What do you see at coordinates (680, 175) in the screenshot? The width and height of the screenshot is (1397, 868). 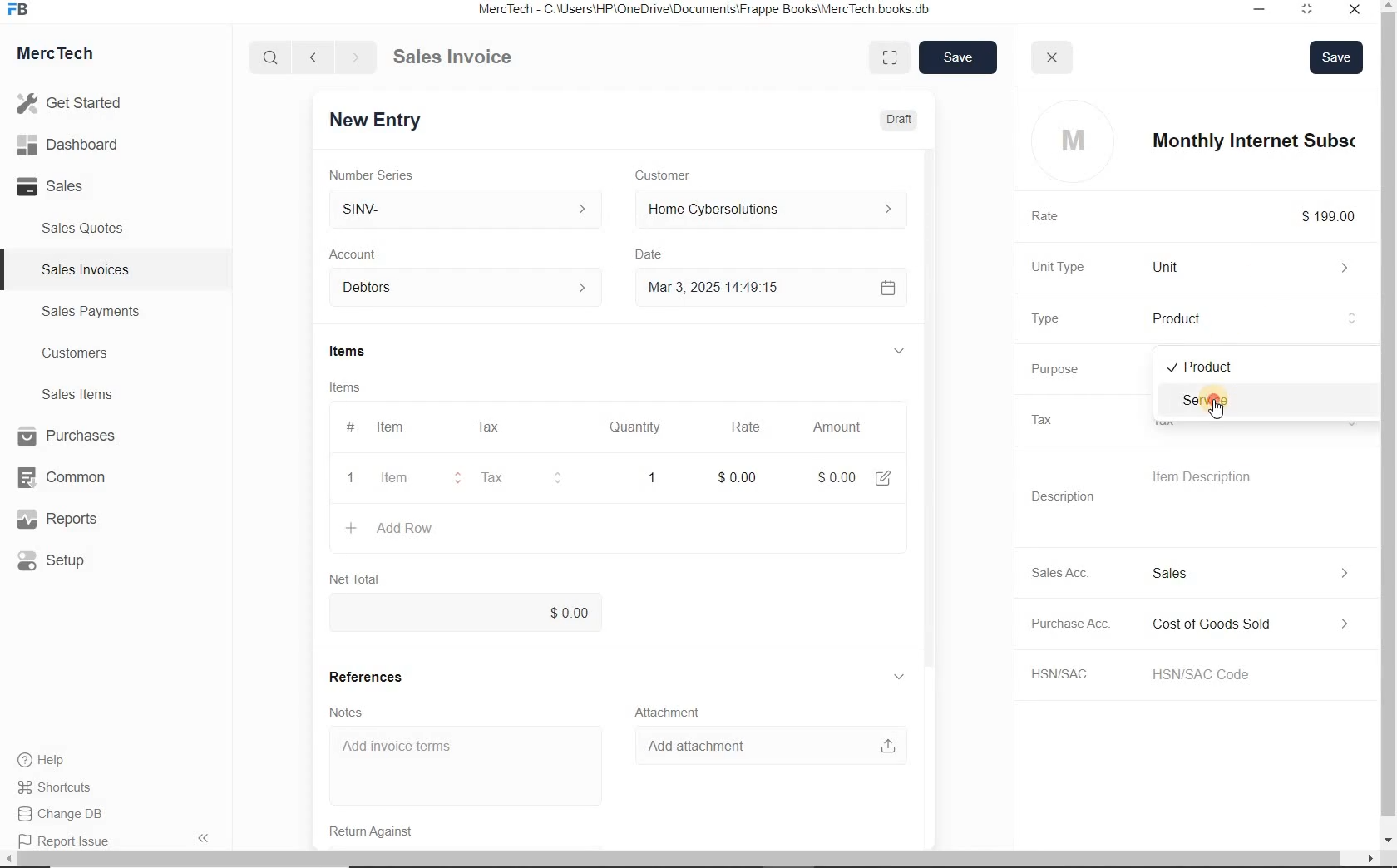 I see `Customer` at bounding box center [680, 175].